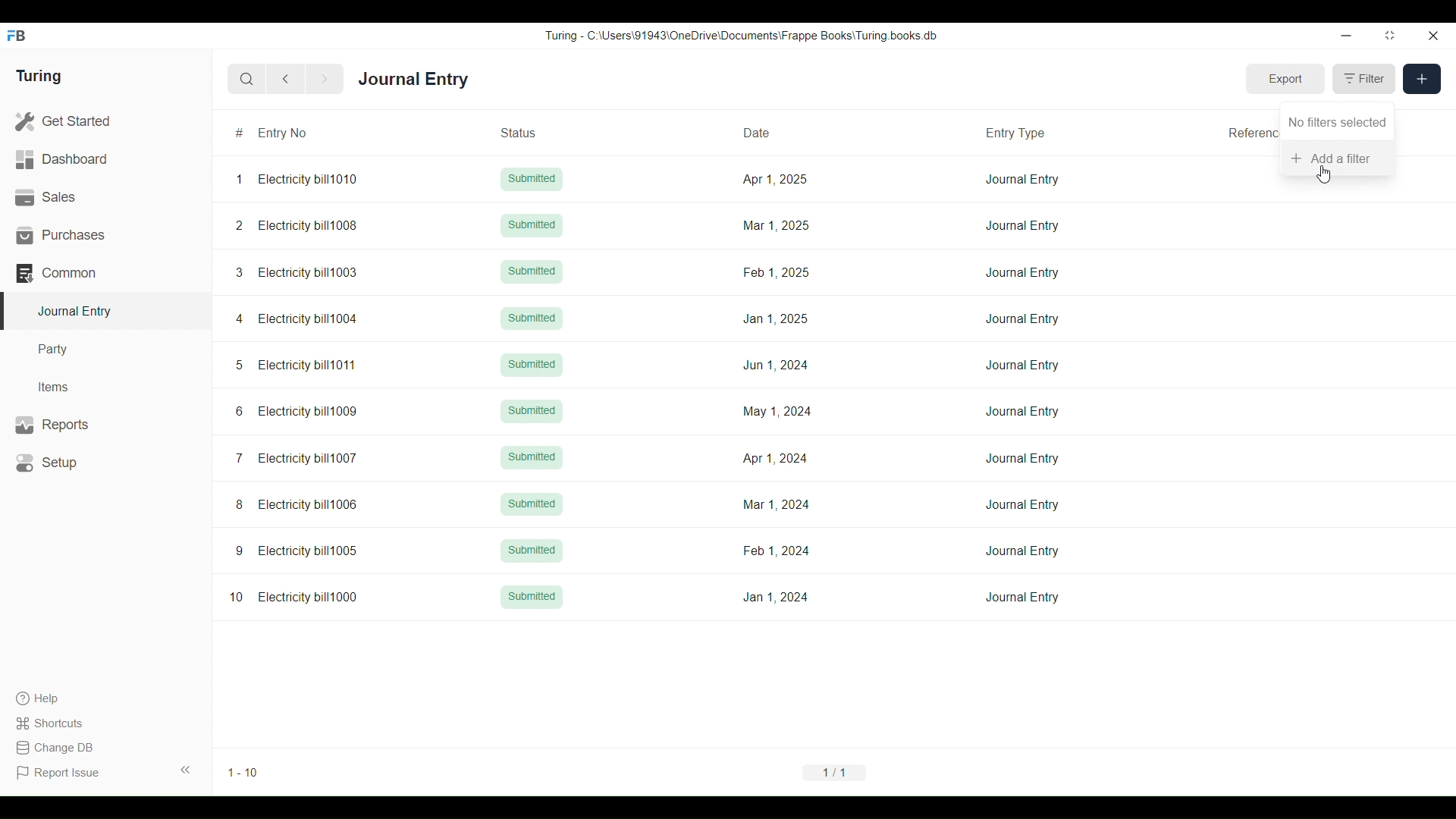 This screenshot has height=819, width=1456. What do you see at coordinates (295, 366) in the screenshot?
I see `5 Electricity bill1011` at bounding box center [295, 366].